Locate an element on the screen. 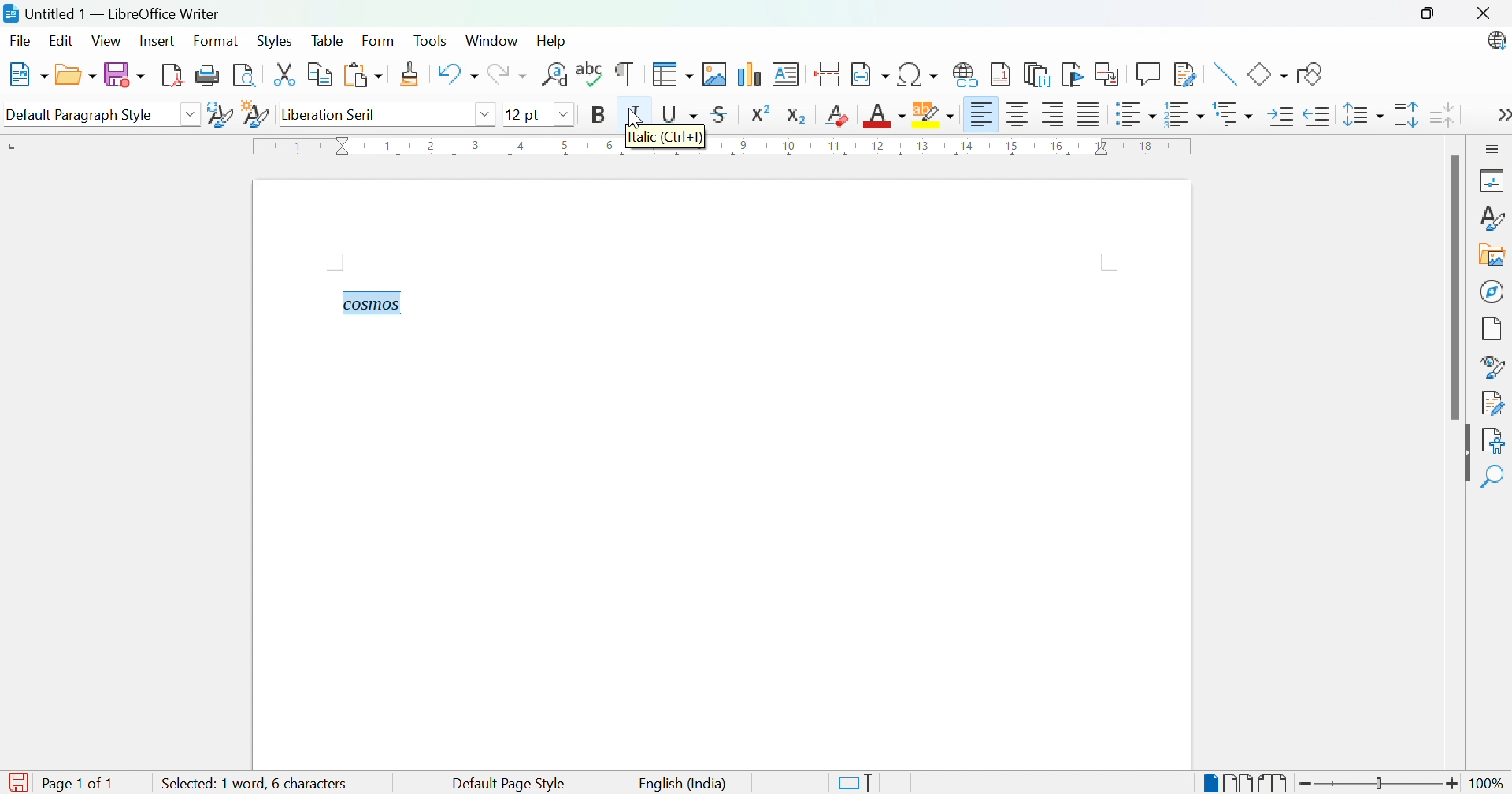 The height and width of the screenshot is (794, 1512). Form is located at coordinates (378, 40).